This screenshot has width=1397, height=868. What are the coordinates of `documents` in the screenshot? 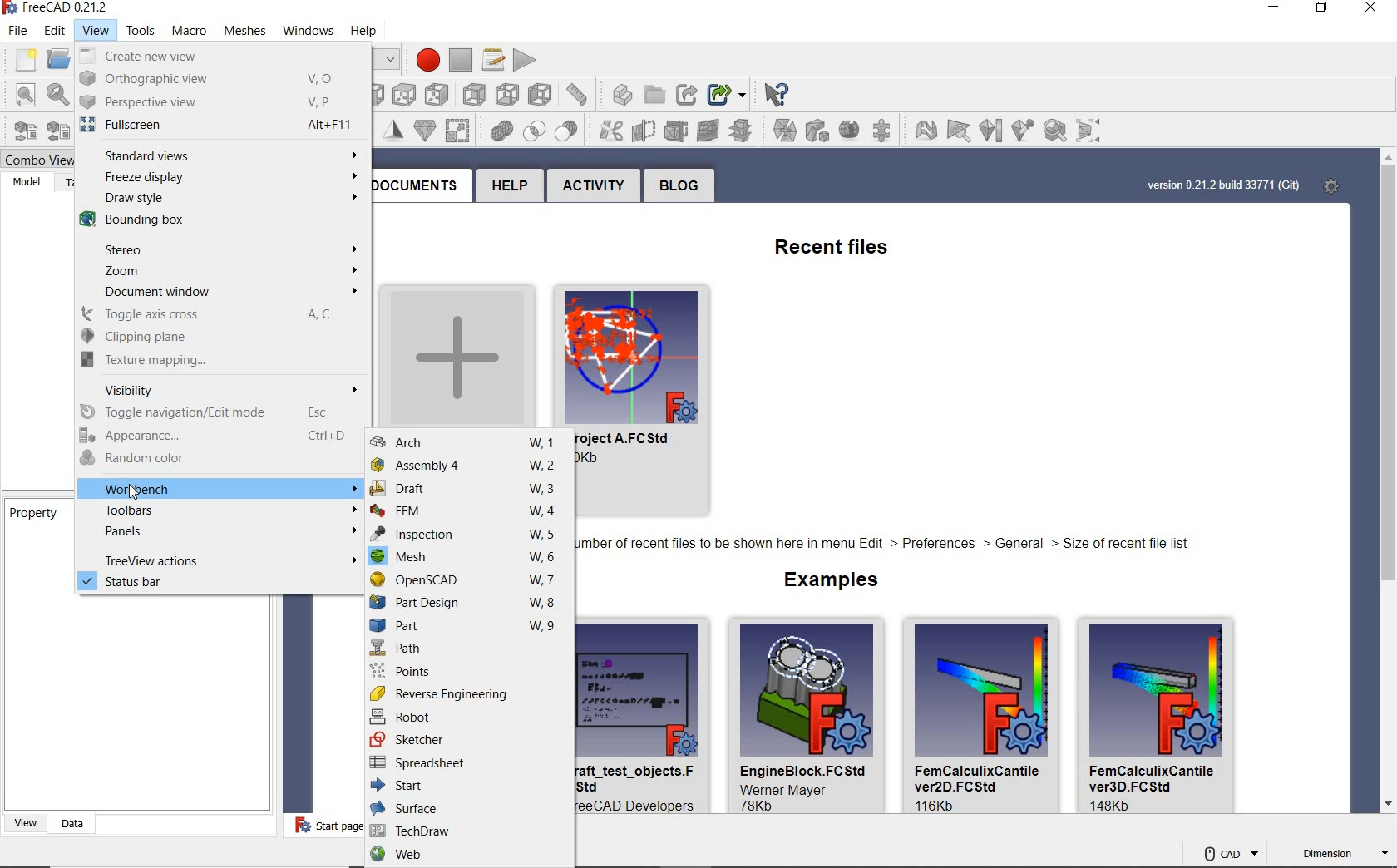 It's located at (417, 185).